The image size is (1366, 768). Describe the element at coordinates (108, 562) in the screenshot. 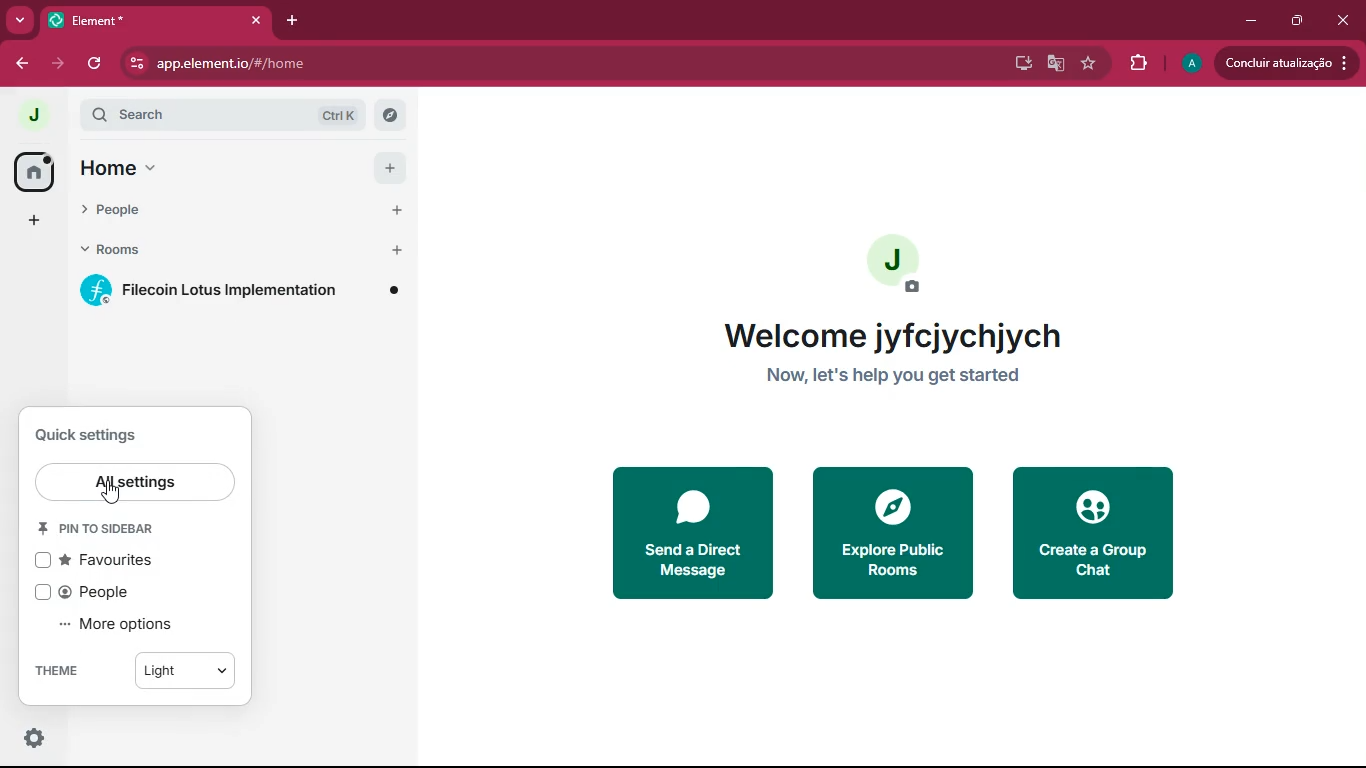

I see `favourites` at that location.